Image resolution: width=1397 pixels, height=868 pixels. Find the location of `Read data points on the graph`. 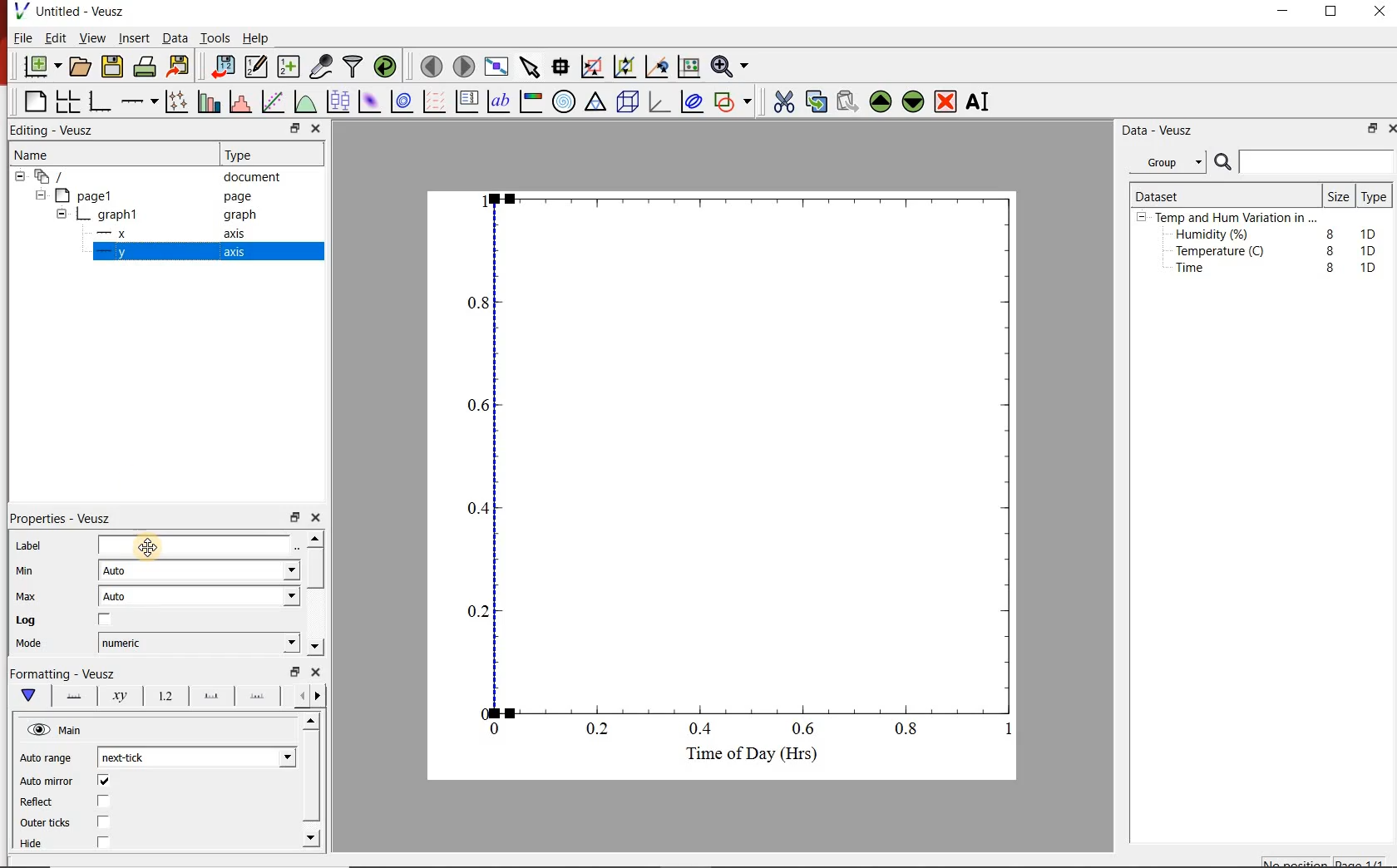

Read data points on the graph is located at coordinates (562, 67).